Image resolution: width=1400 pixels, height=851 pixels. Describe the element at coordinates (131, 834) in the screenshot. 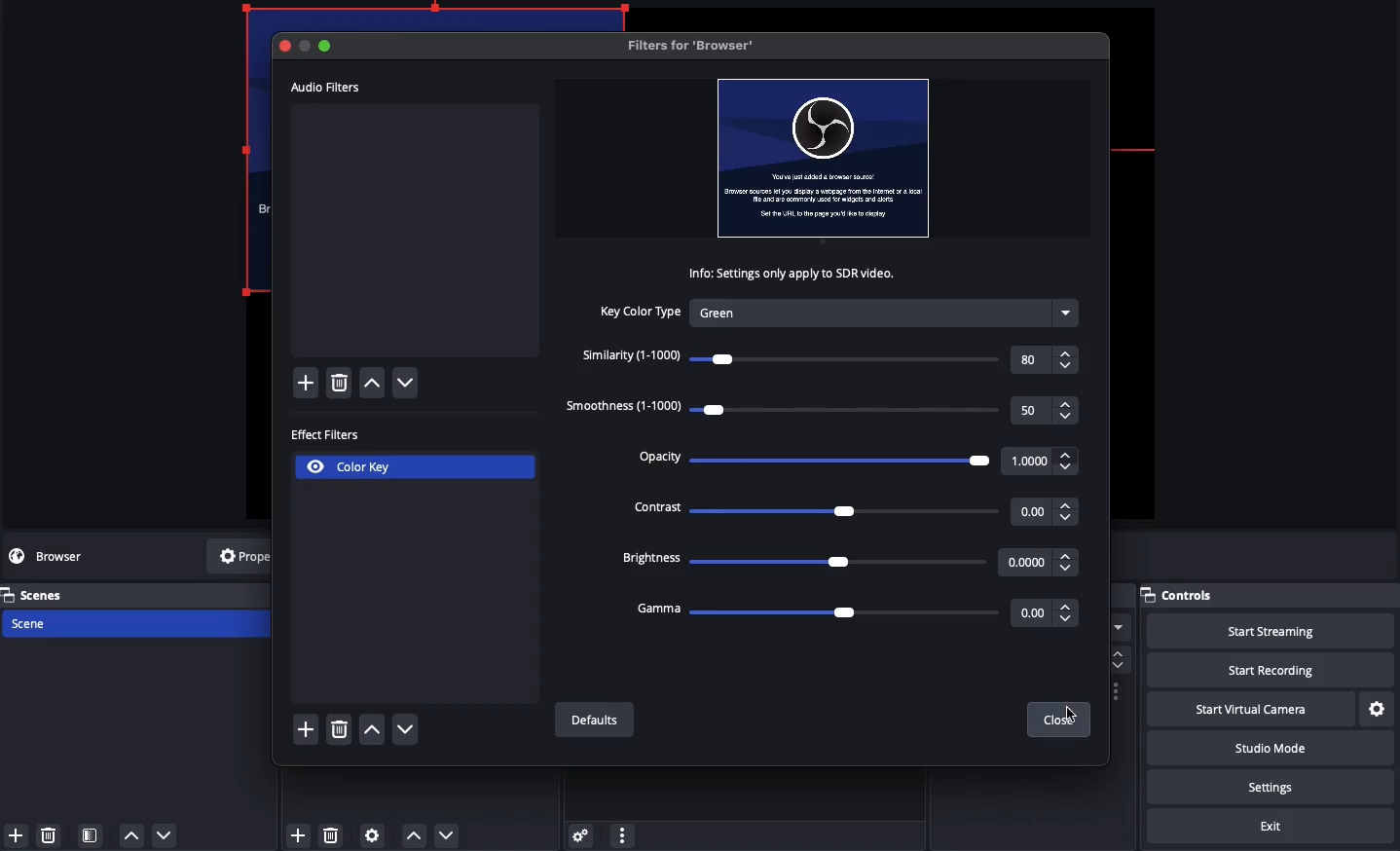

I see `up` at that location.